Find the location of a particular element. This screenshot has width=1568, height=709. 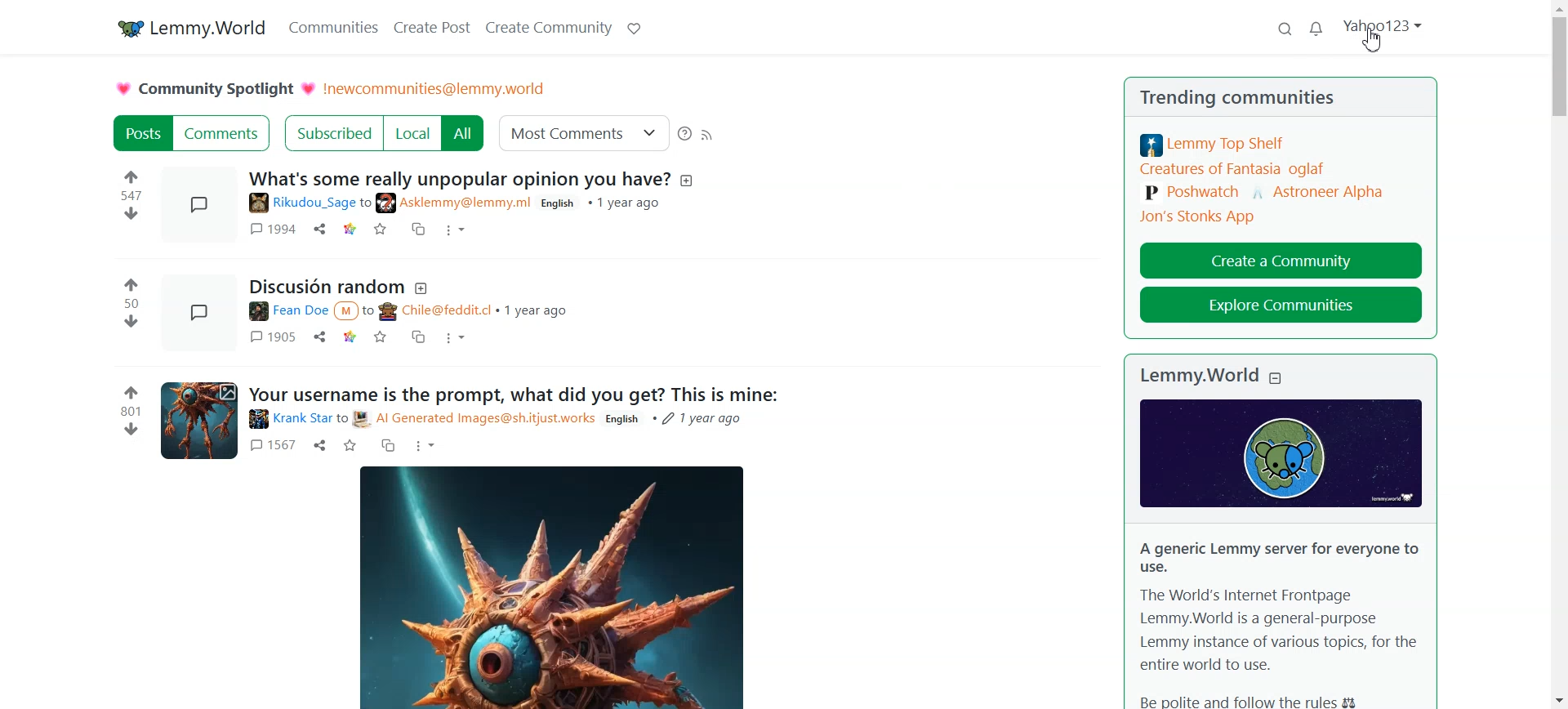

upvote is located at coordinates (131, 175).